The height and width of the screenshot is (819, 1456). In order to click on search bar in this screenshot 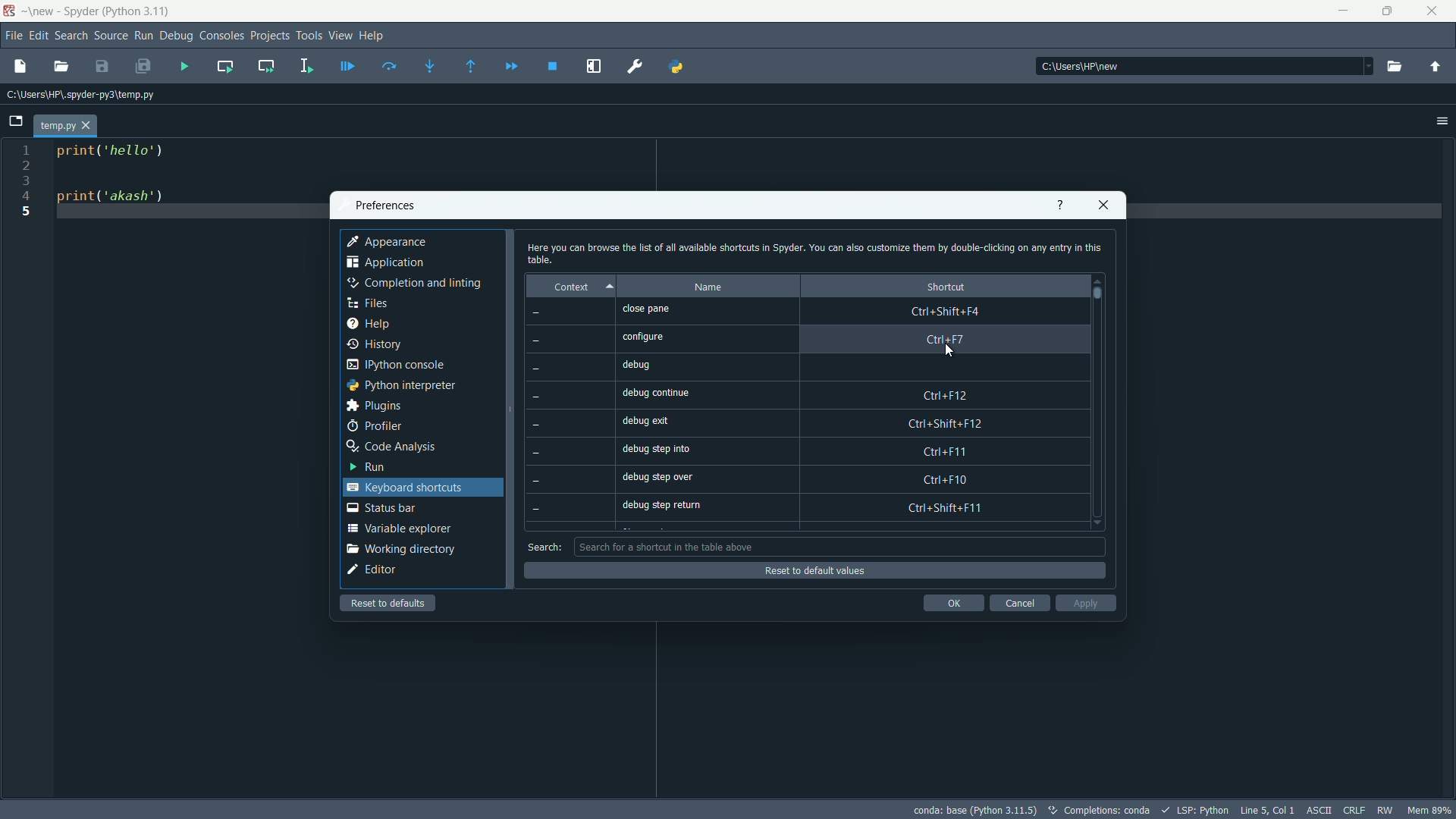, I will do `click(840, 546)`.